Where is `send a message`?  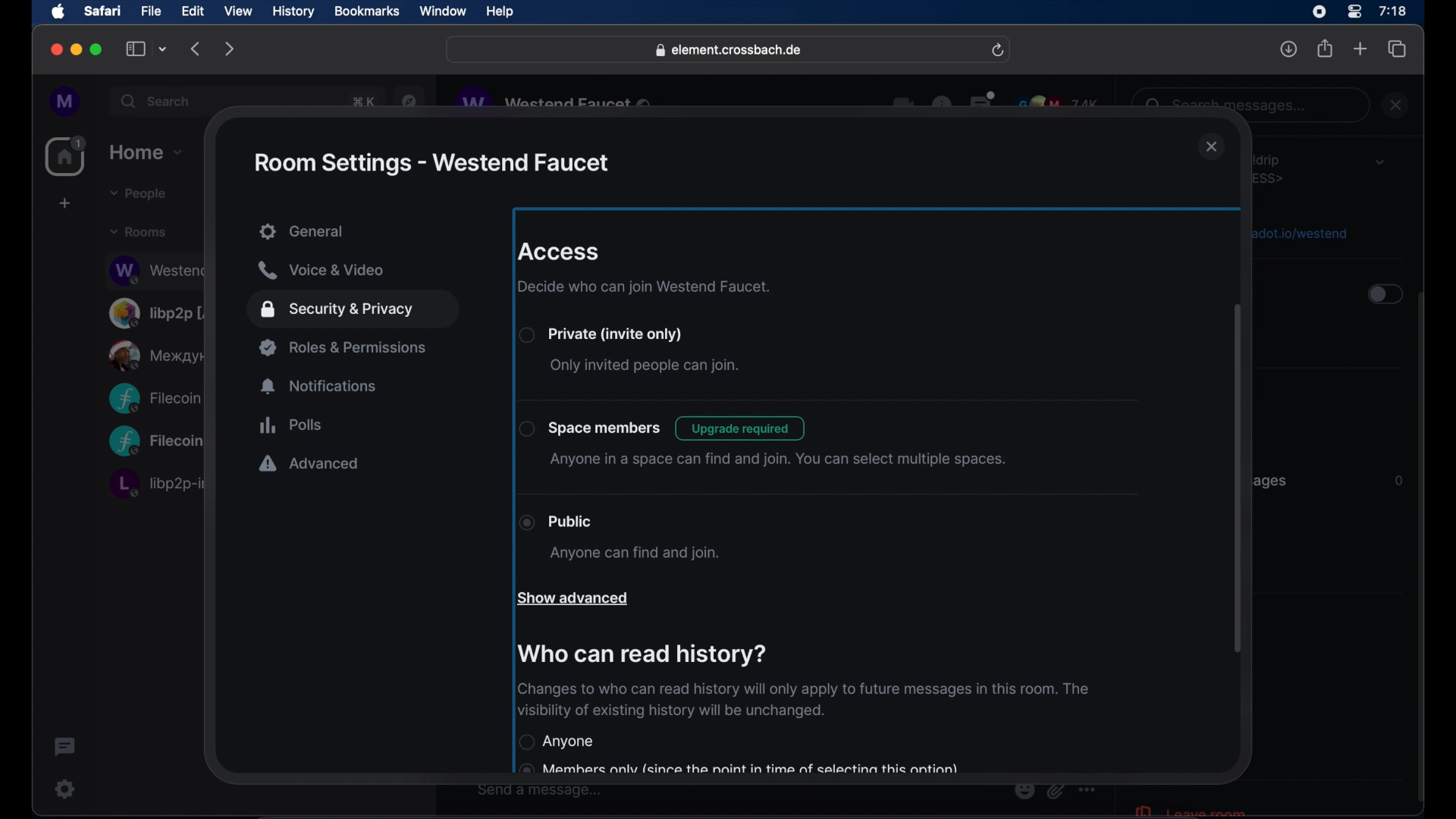 send a message is located at coordinates (540, 790).